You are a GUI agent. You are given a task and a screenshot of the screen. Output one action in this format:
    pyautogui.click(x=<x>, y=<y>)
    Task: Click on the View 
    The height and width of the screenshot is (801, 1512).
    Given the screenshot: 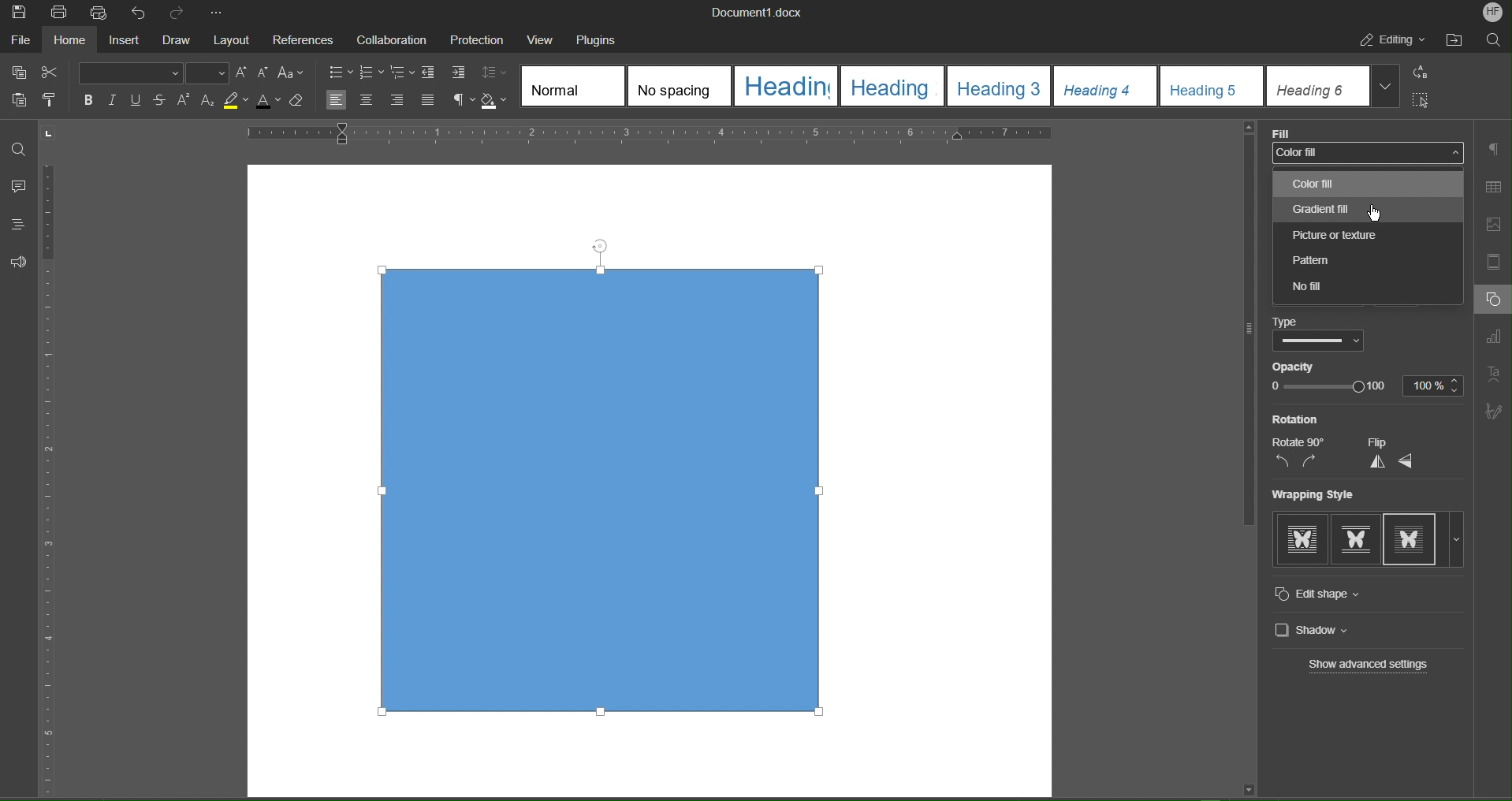 What is the action you would take?
    pyautogui.click(x=546, y=39)
    